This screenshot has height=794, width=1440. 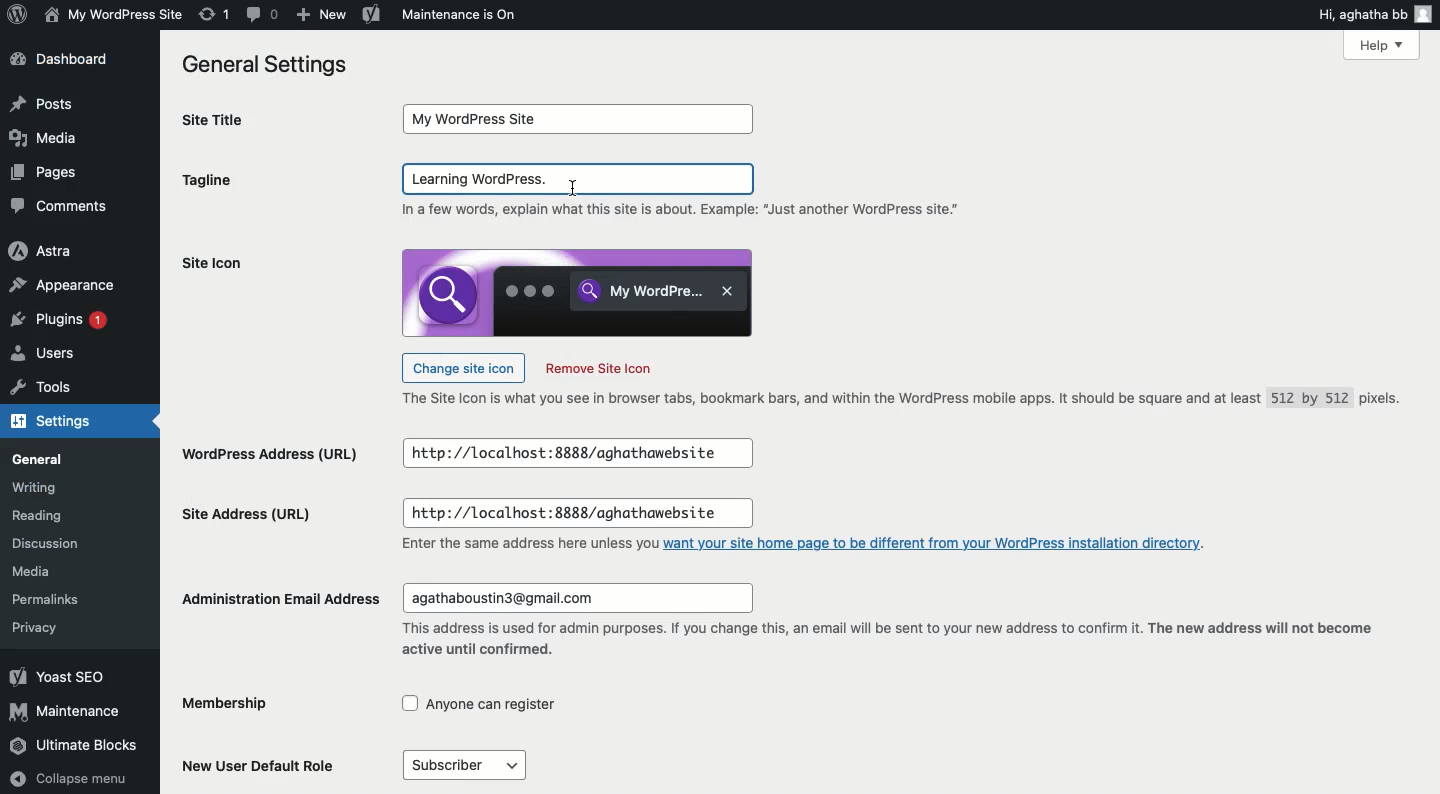 I want to click on Text, so click(x=909, y=400).